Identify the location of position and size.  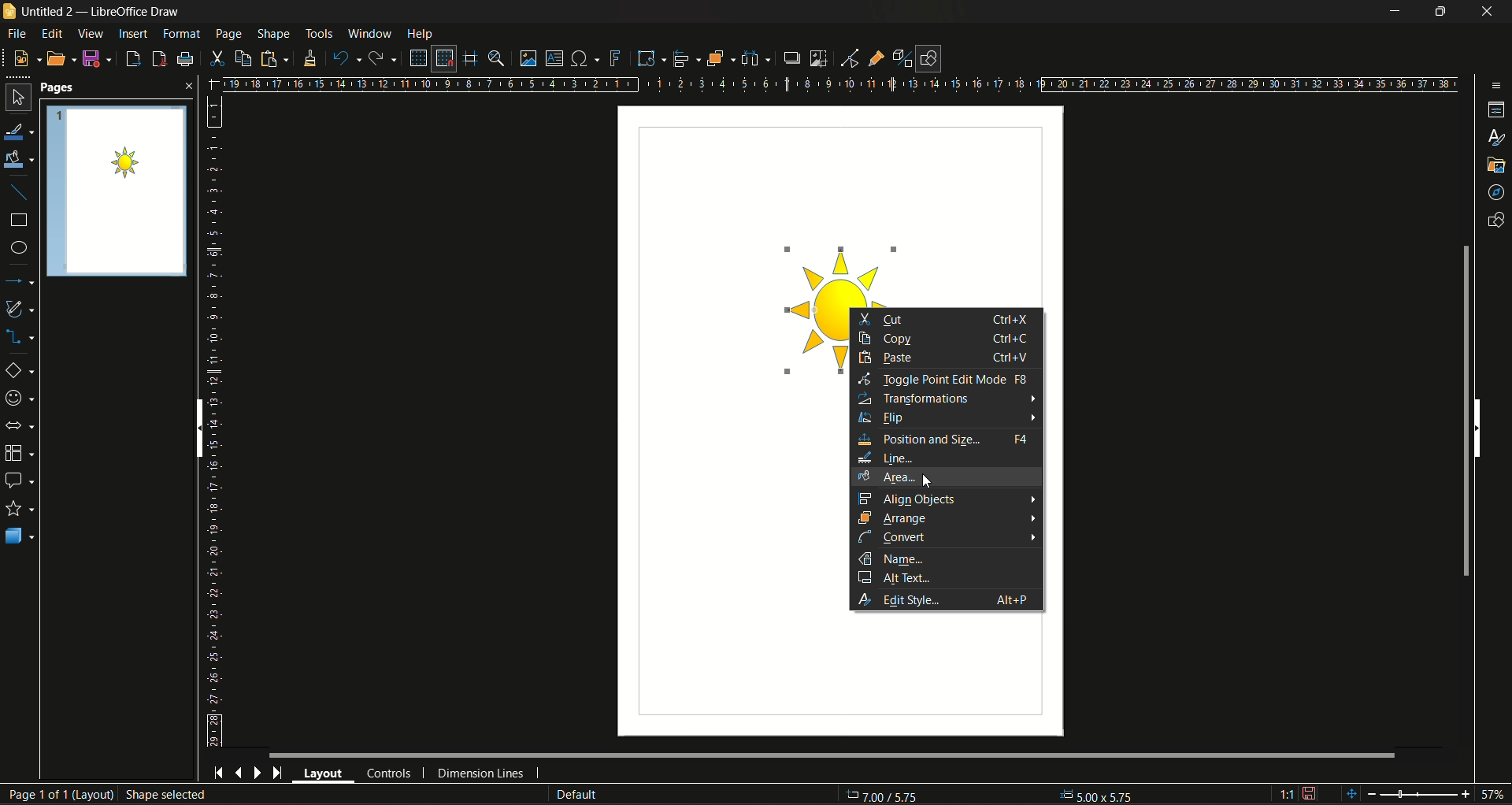
(920, 440).